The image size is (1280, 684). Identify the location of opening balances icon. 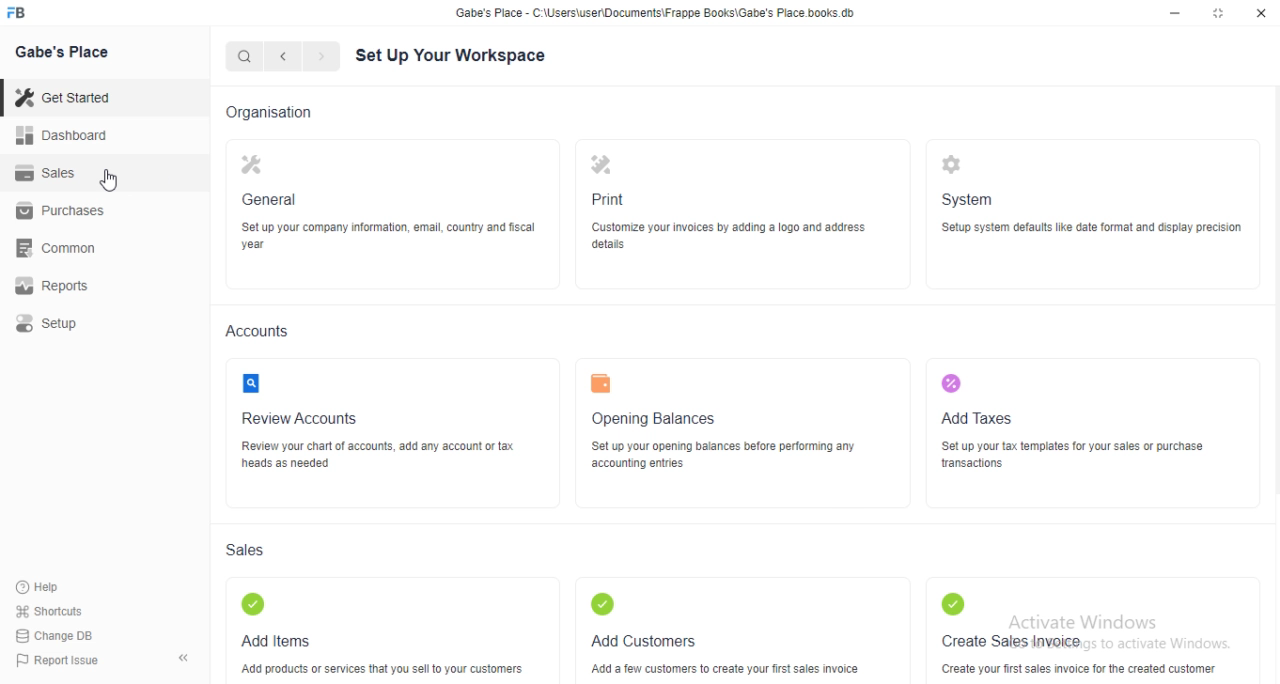
(601, 383).